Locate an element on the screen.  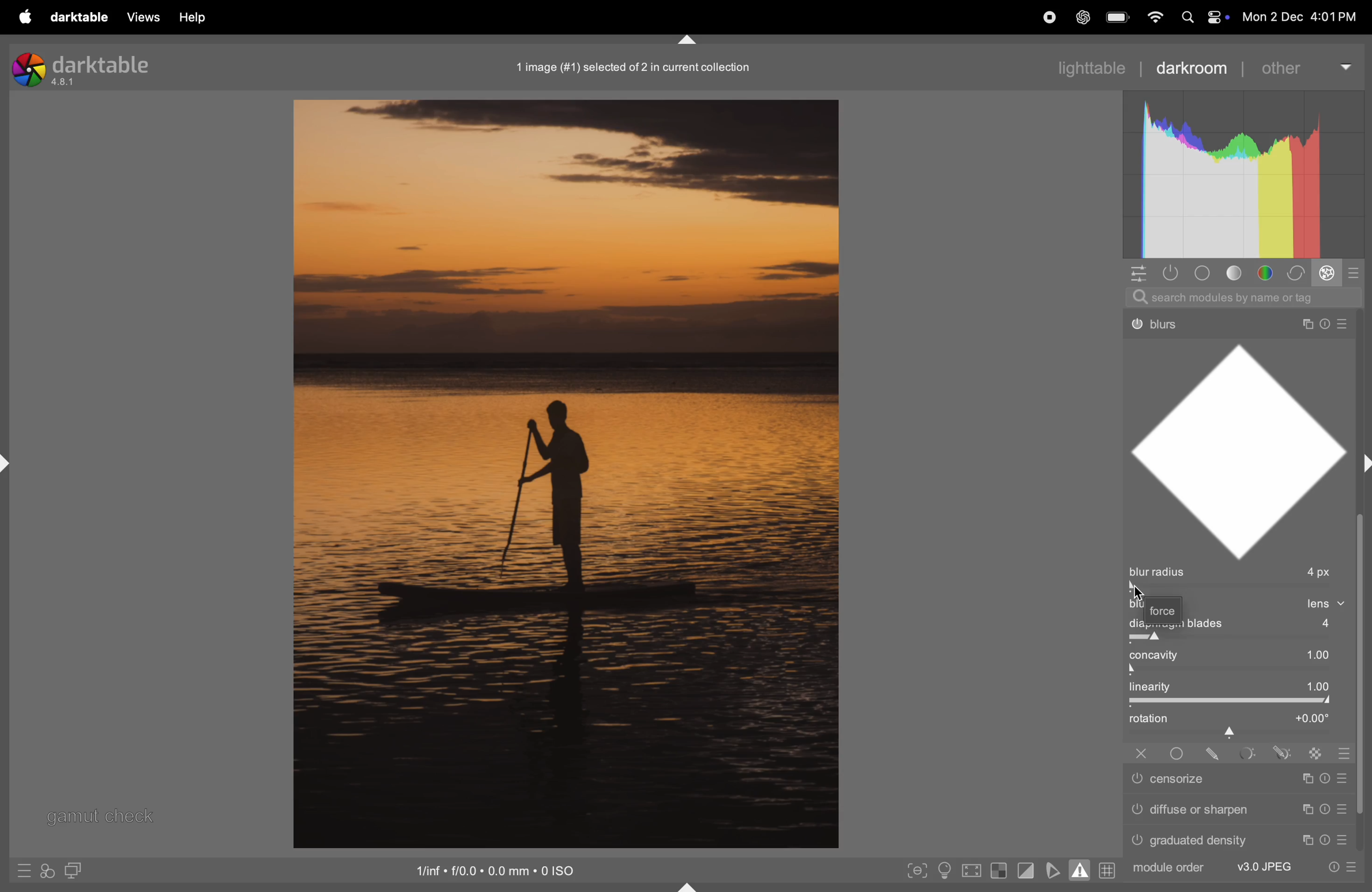
 is located at coordinates (1177, 753).